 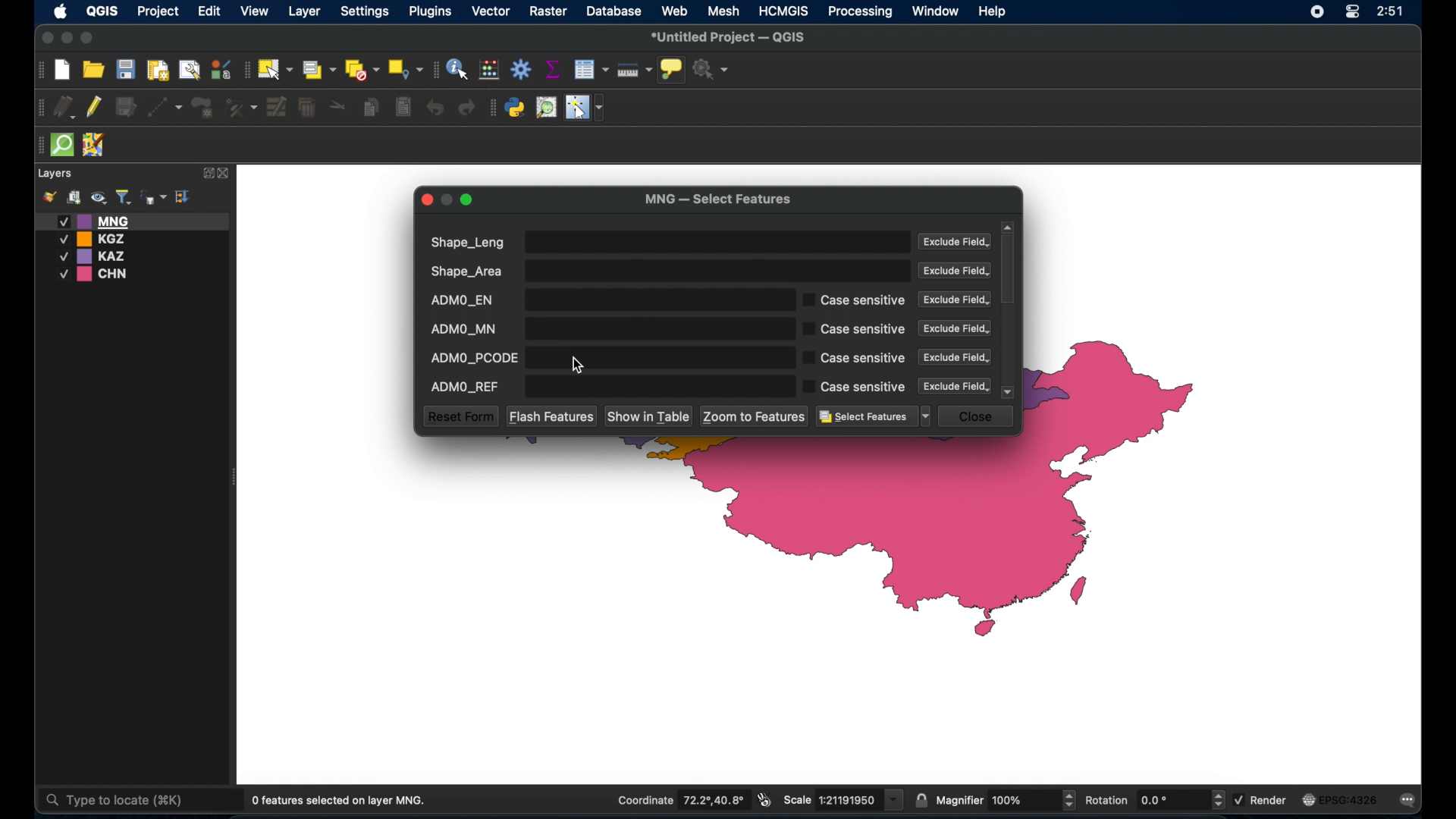 I want to click on lock scale, so click(x=921, y=801).